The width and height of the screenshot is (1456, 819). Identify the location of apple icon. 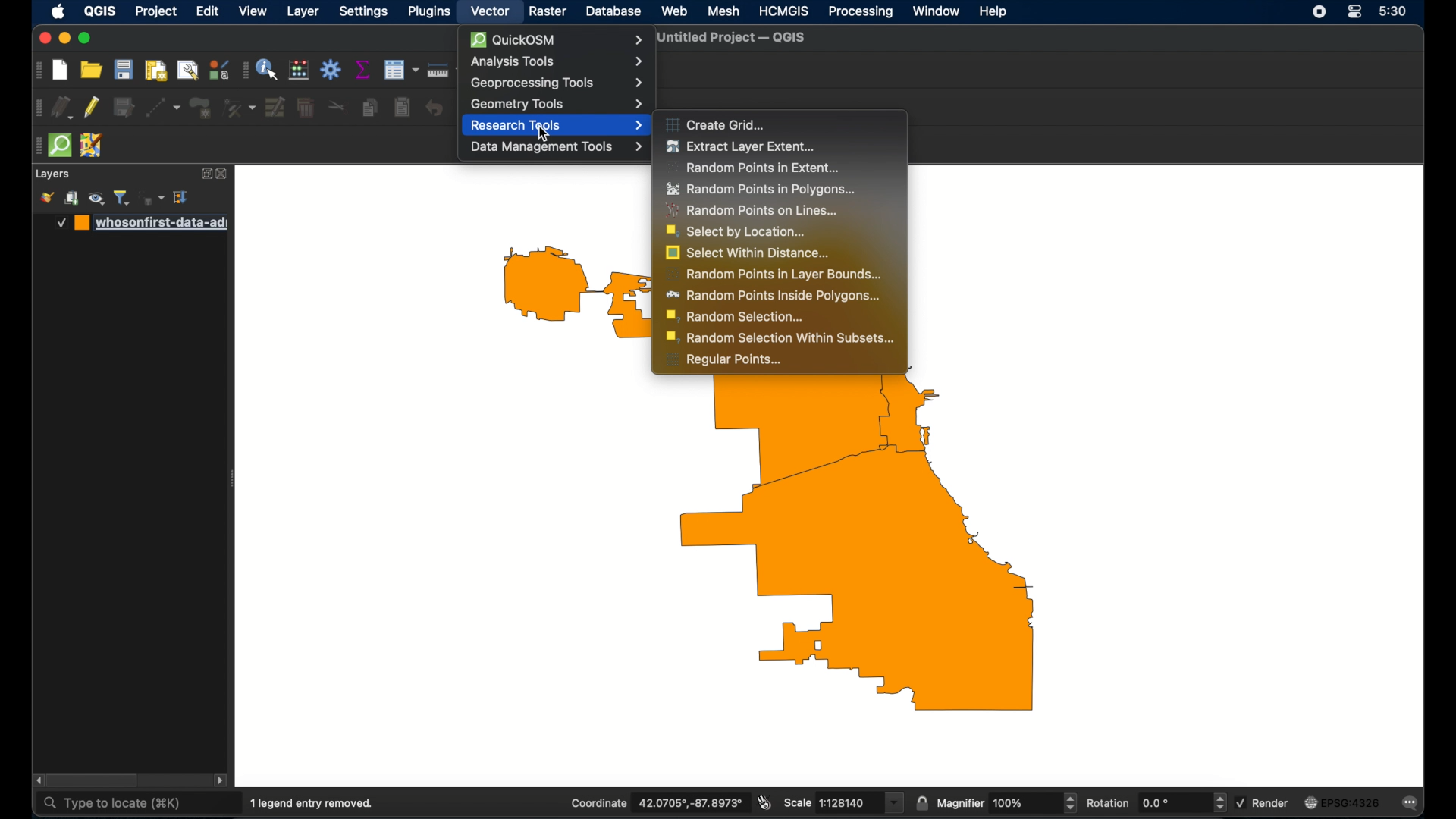
(58, 11).